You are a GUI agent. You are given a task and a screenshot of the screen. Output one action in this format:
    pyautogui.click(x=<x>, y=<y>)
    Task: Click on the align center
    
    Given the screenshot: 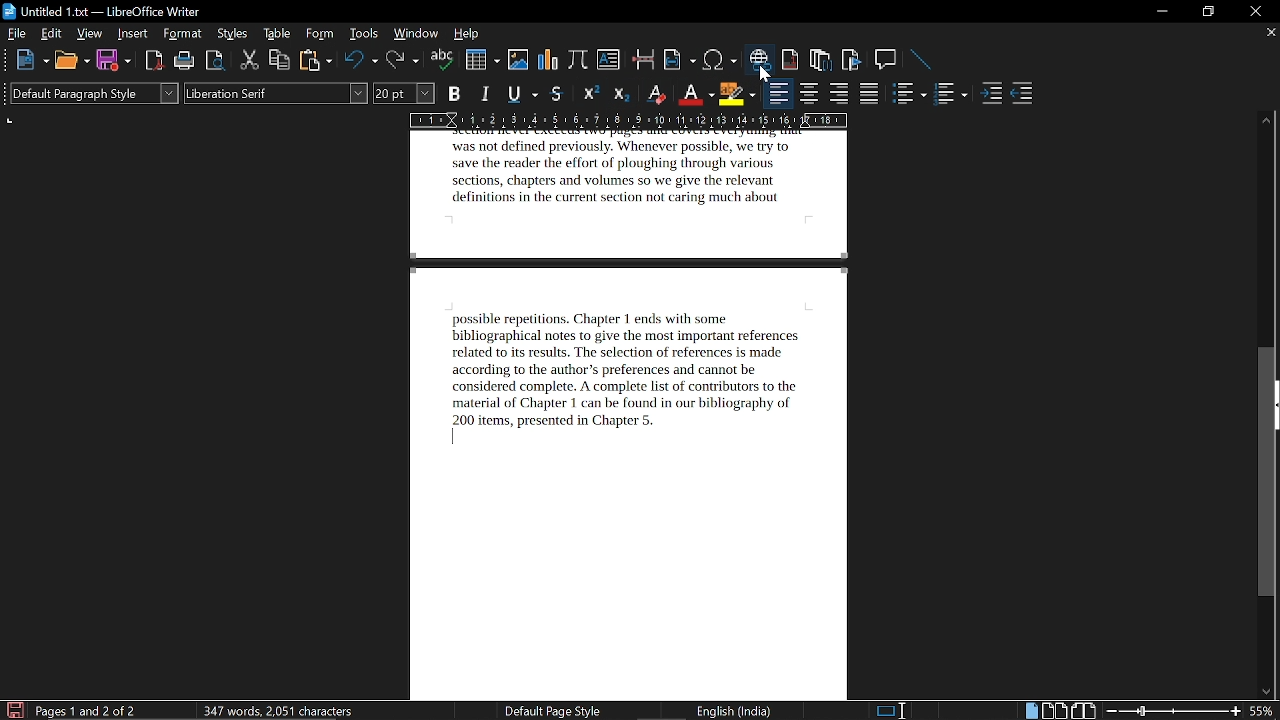 What is the action you would take?
    pyautogui.click(x=807, y=95)
    